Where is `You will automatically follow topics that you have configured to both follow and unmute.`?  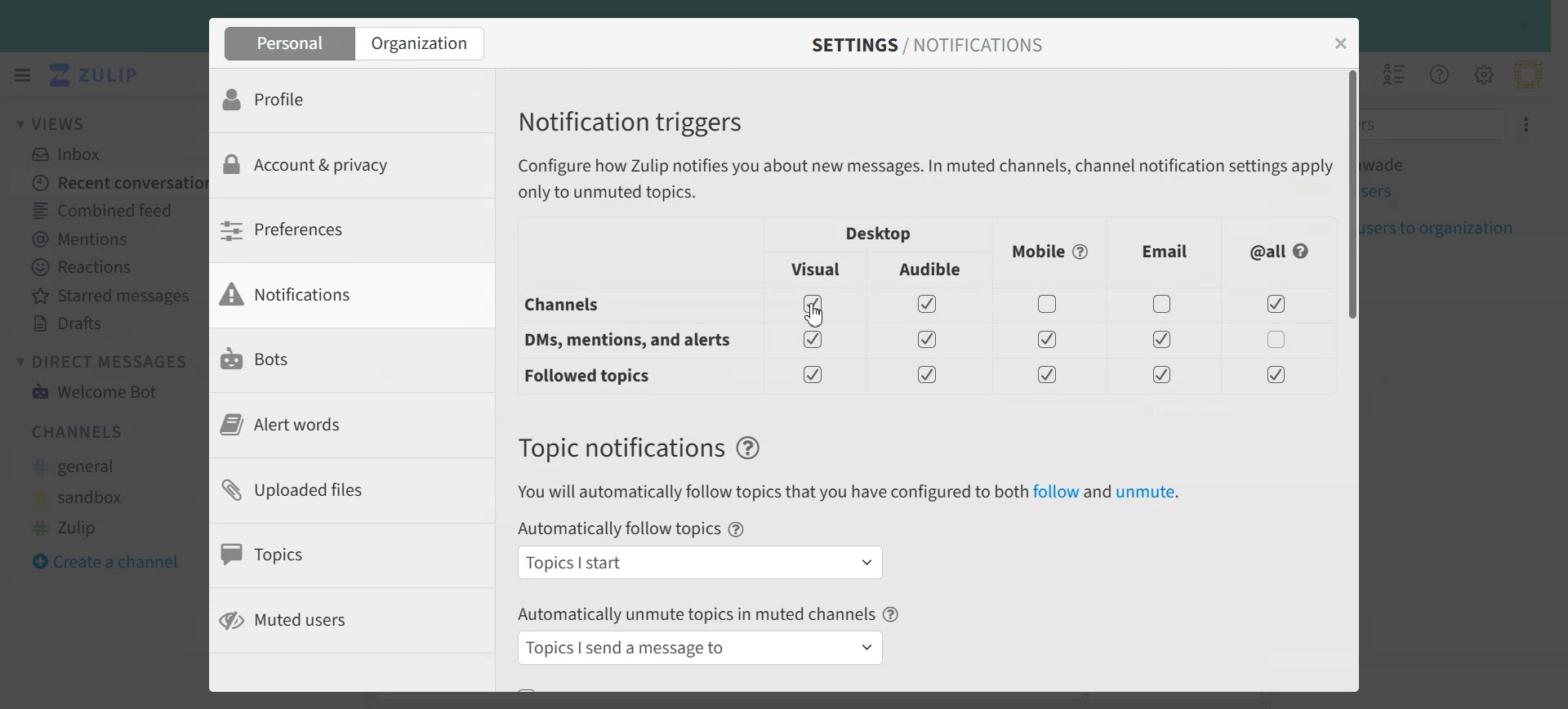 You will automatically follow topics that you have configured to both follow and unmute. is located at coordinates (848, 493).